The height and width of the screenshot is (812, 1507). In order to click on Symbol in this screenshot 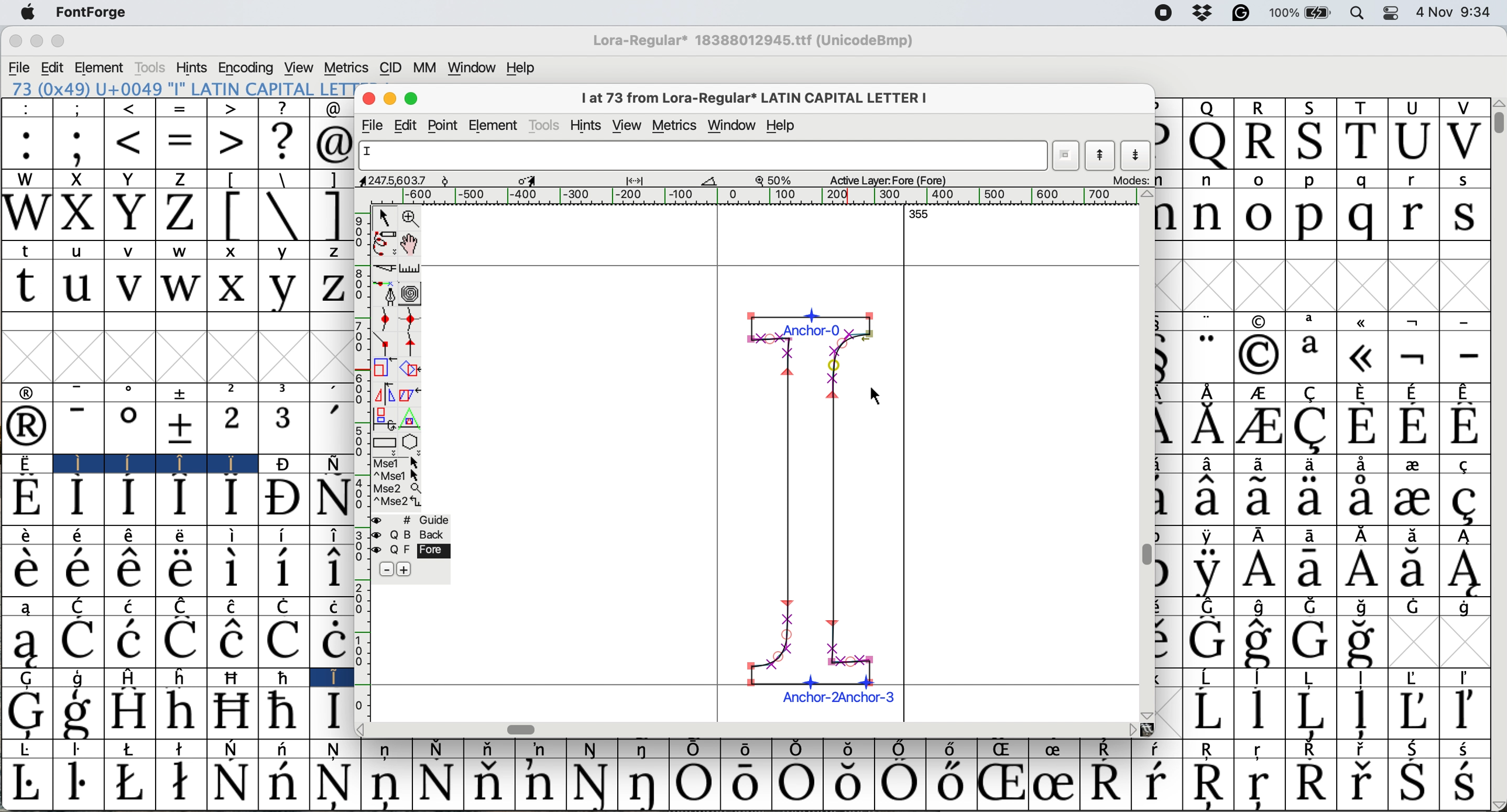, I will do `click(694, 750)`.